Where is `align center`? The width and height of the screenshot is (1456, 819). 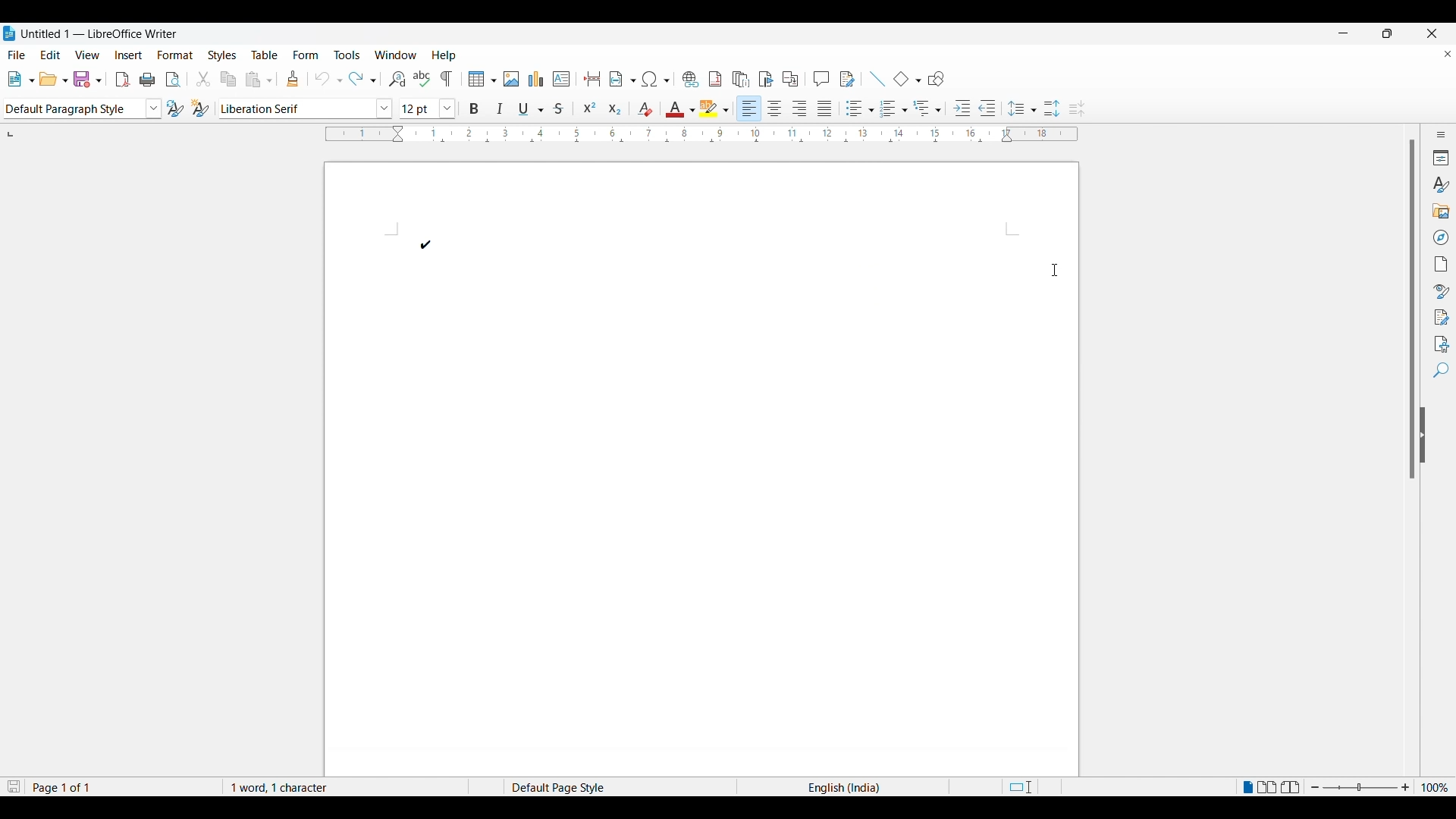 align center is located at coordinates (777, 108).